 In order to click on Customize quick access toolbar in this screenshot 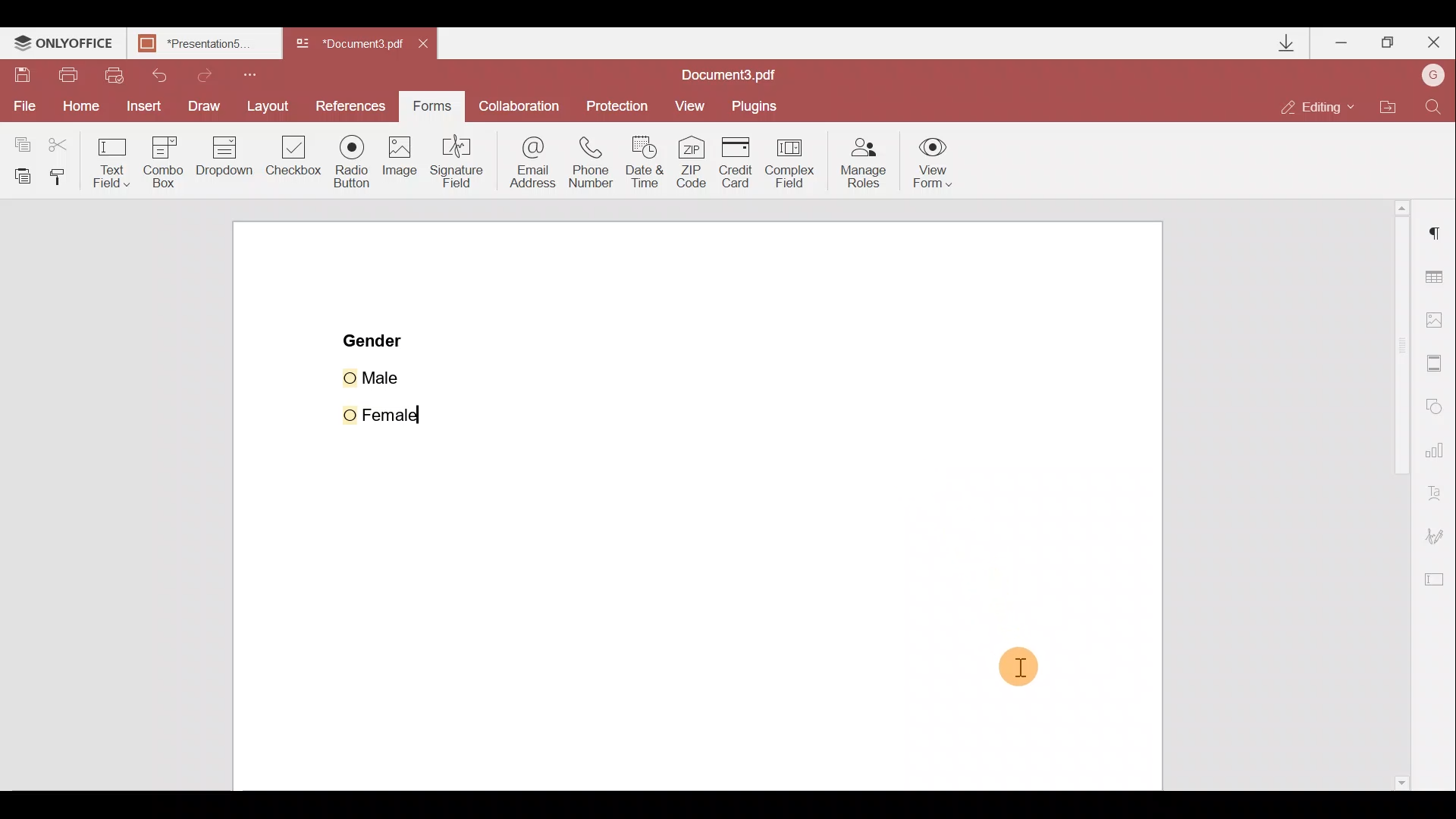, I will do `click(259, 73)`.